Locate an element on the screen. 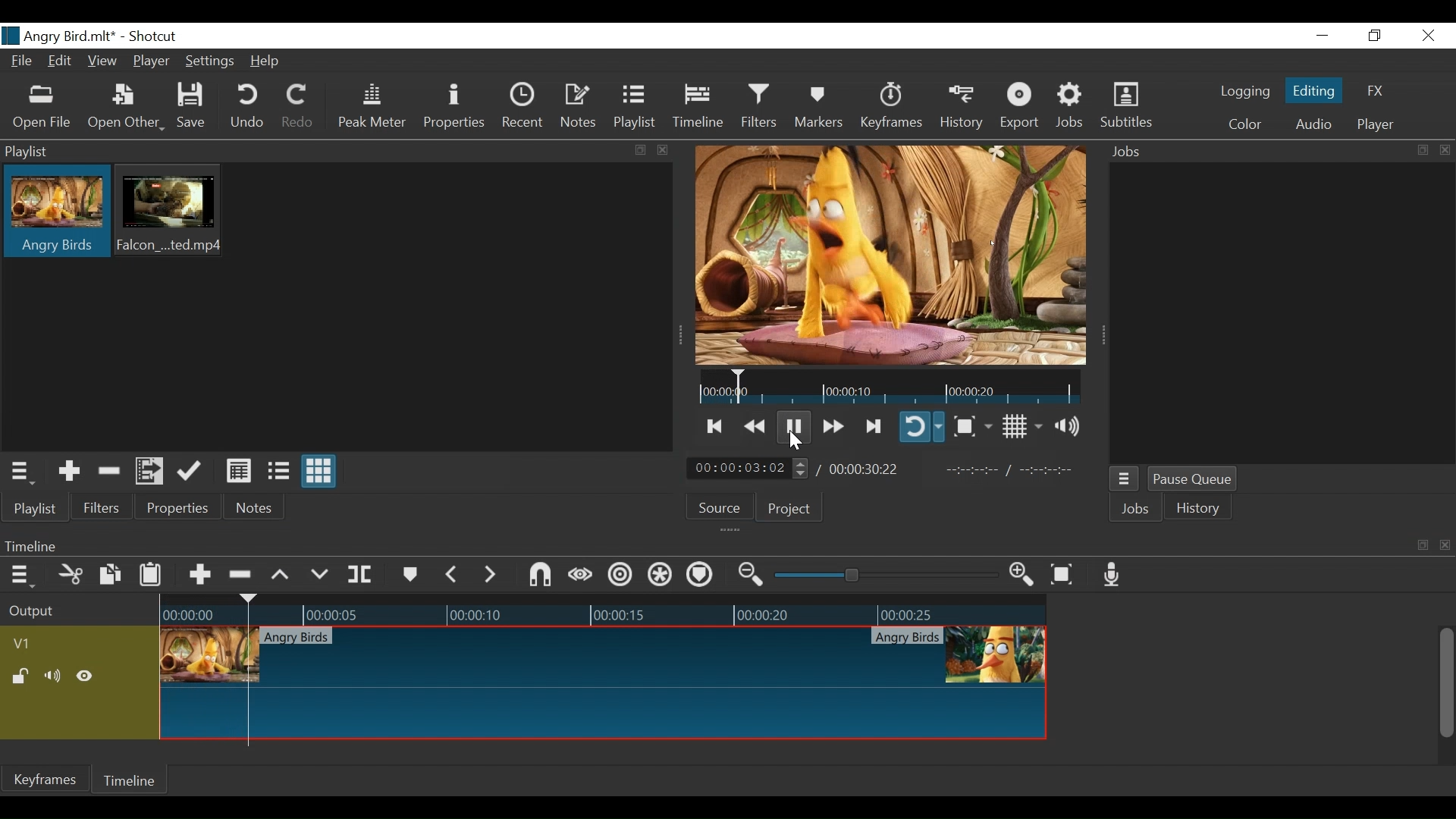 The image size is (1456, 819). Toggle display grid on player is located at coordinates (1021, 427).